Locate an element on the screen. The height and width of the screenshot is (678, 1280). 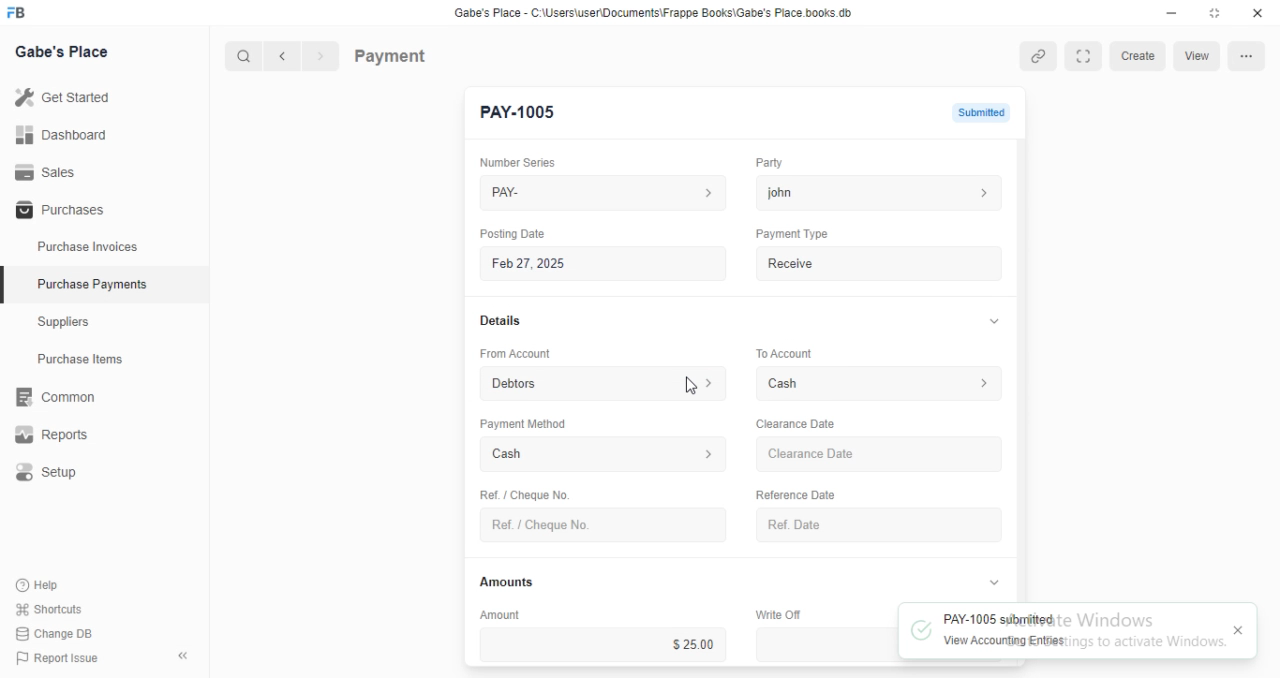
Ret. / Cheque No. is located at coordinates (522, 493).